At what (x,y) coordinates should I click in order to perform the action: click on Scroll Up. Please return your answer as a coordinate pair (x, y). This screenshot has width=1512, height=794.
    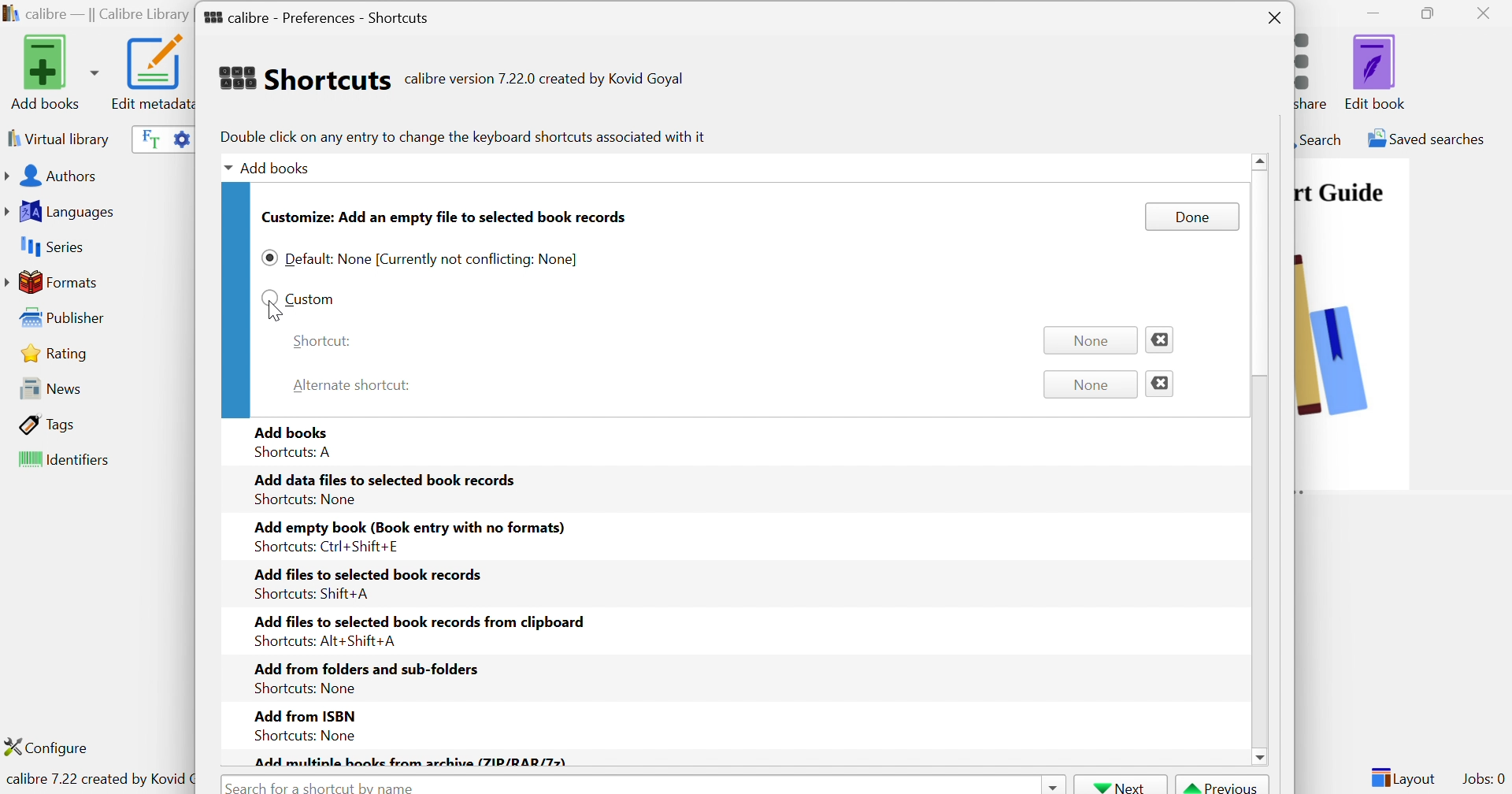
    Looking at the image, I should click on (1262, 160).